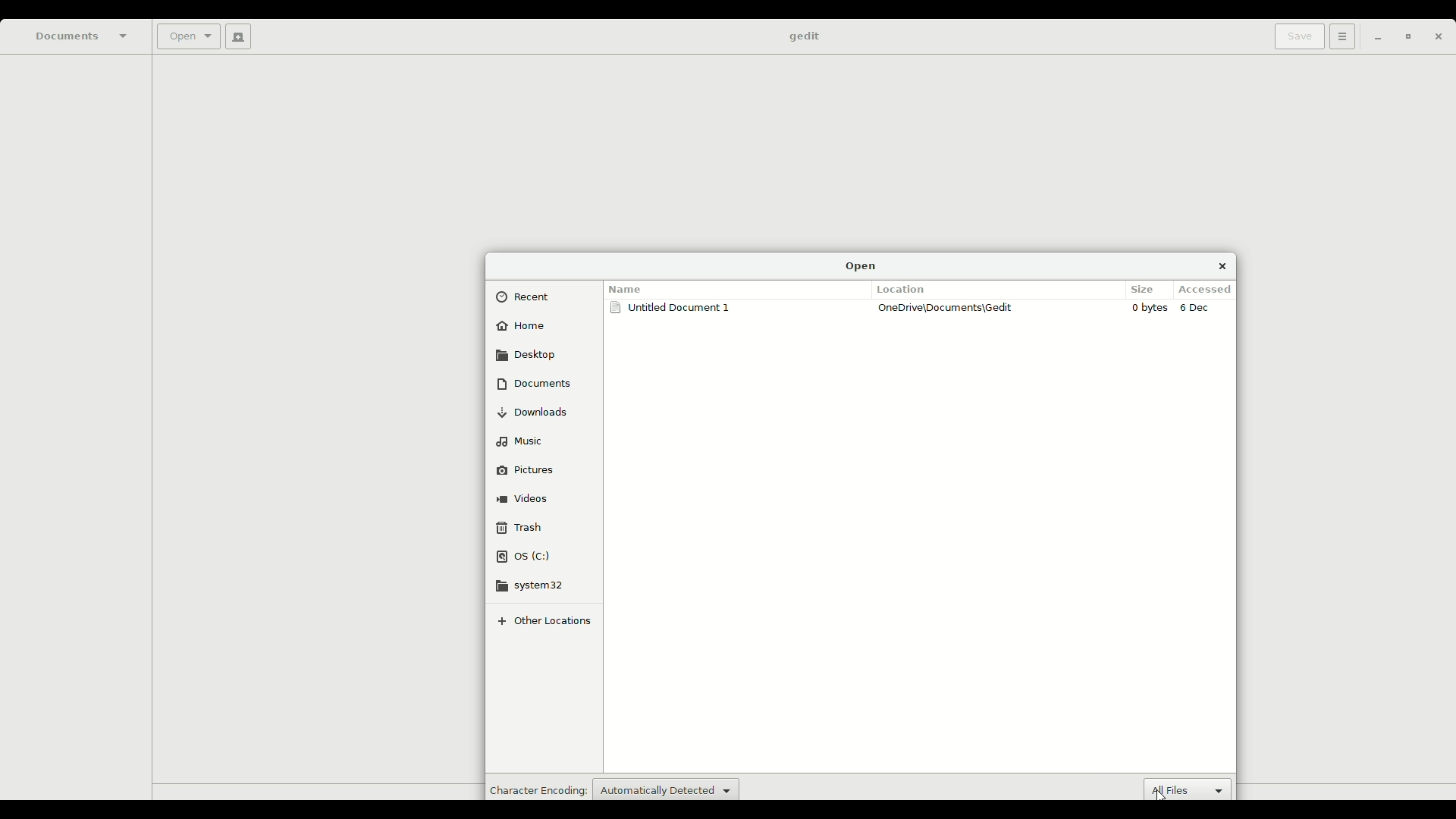 This screenshot has height=819, width=1456. Describe the element at coordinates (534, 383) in the screenshot. I see `Documents` at that location.